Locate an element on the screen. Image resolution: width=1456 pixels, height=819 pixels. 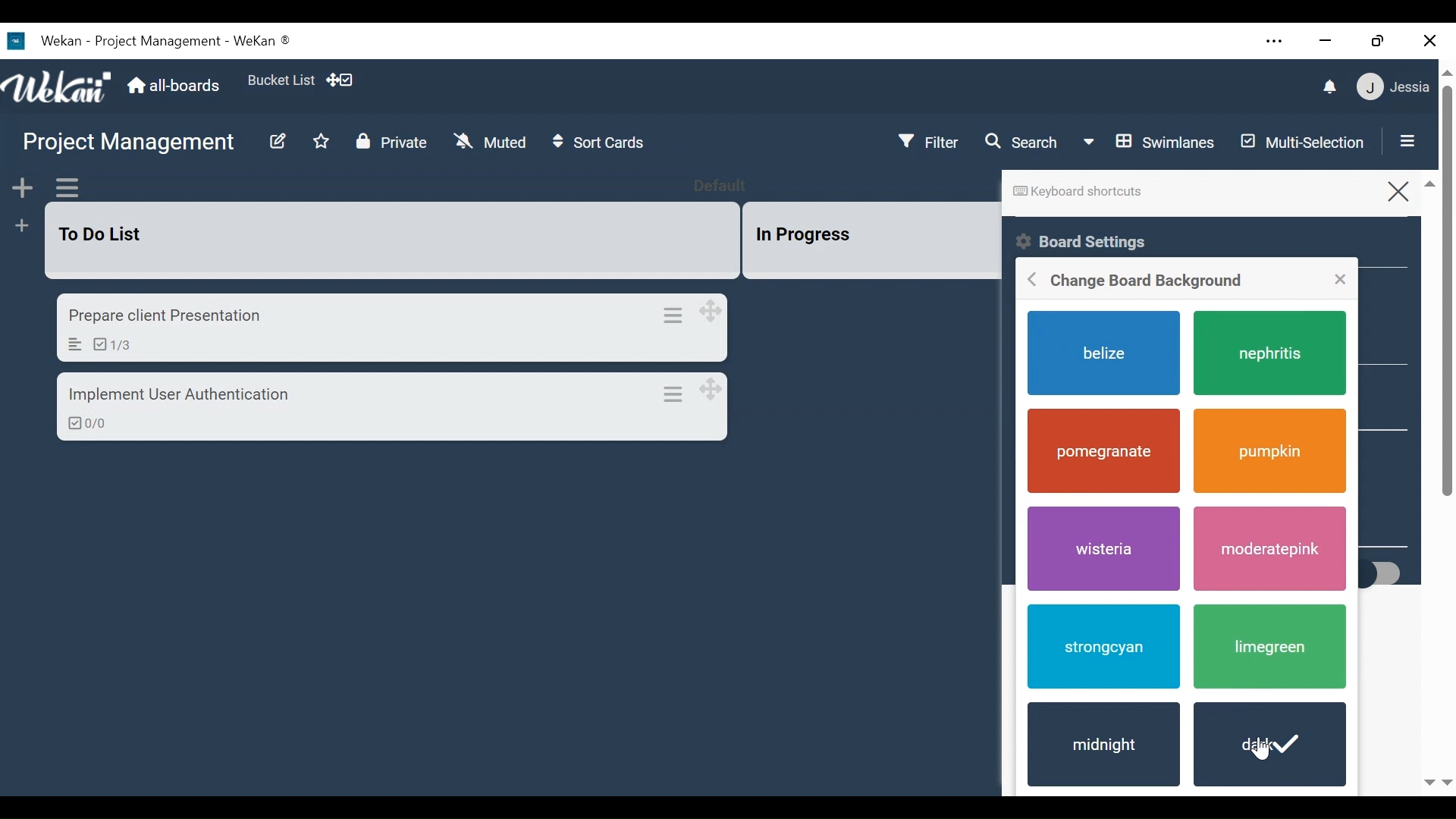
Home (all-boards) is located at coordinates (176, 86).